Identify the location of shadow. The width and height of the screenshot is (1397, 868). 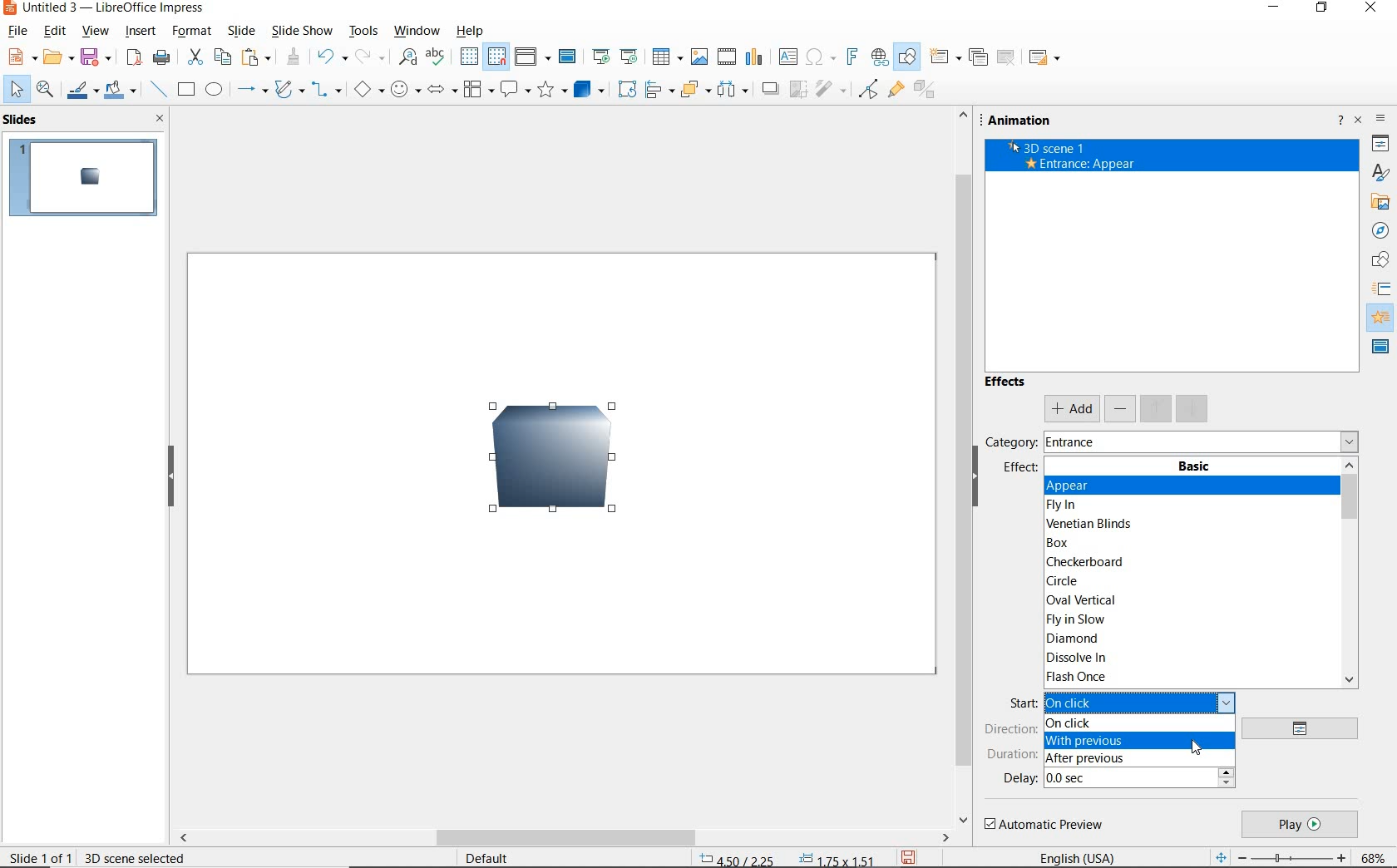
(773, 89).